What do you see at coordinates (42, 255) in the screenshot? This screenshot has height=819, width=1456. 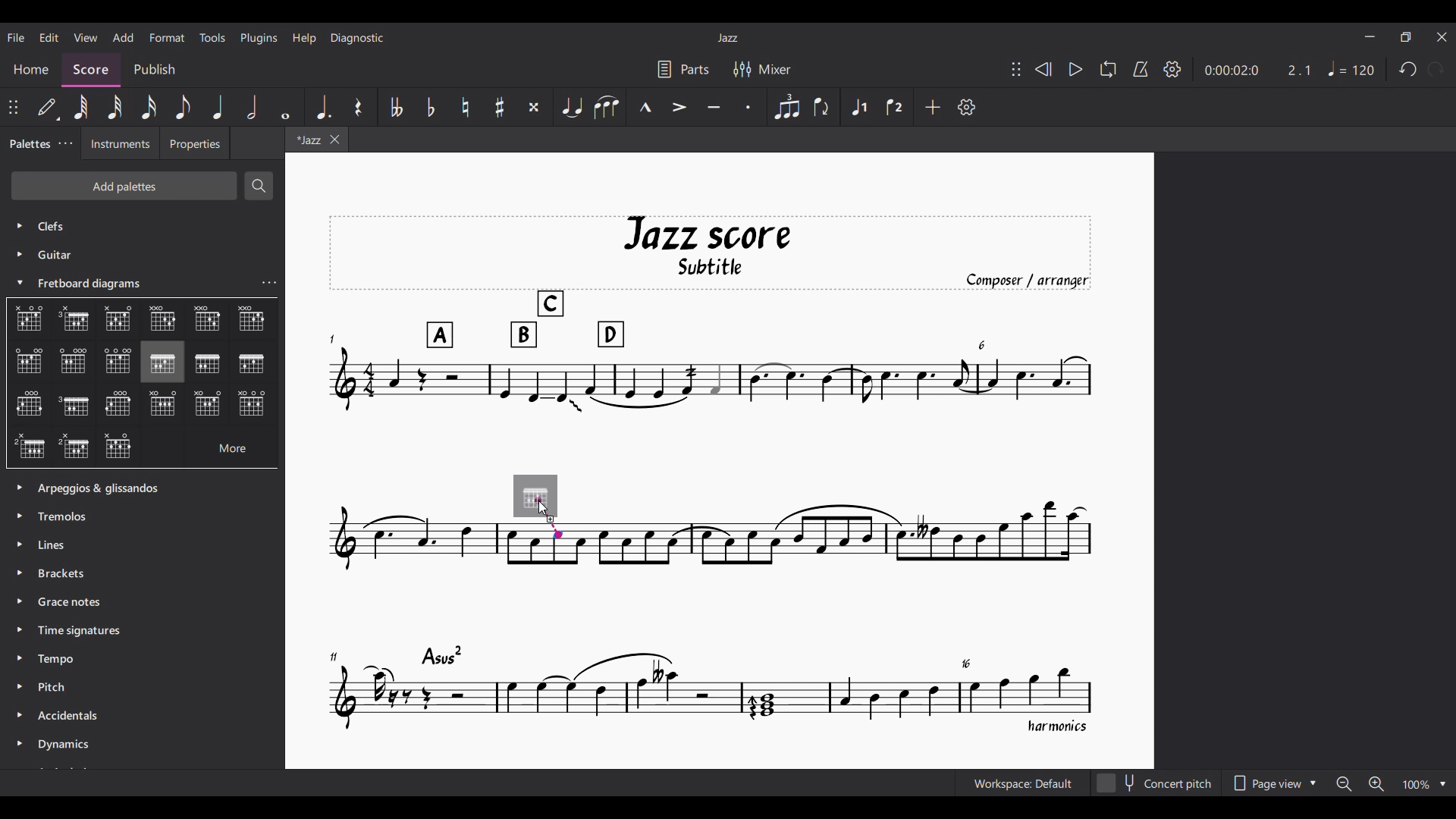 I see `Guitar` at bounding box center [42, 255].